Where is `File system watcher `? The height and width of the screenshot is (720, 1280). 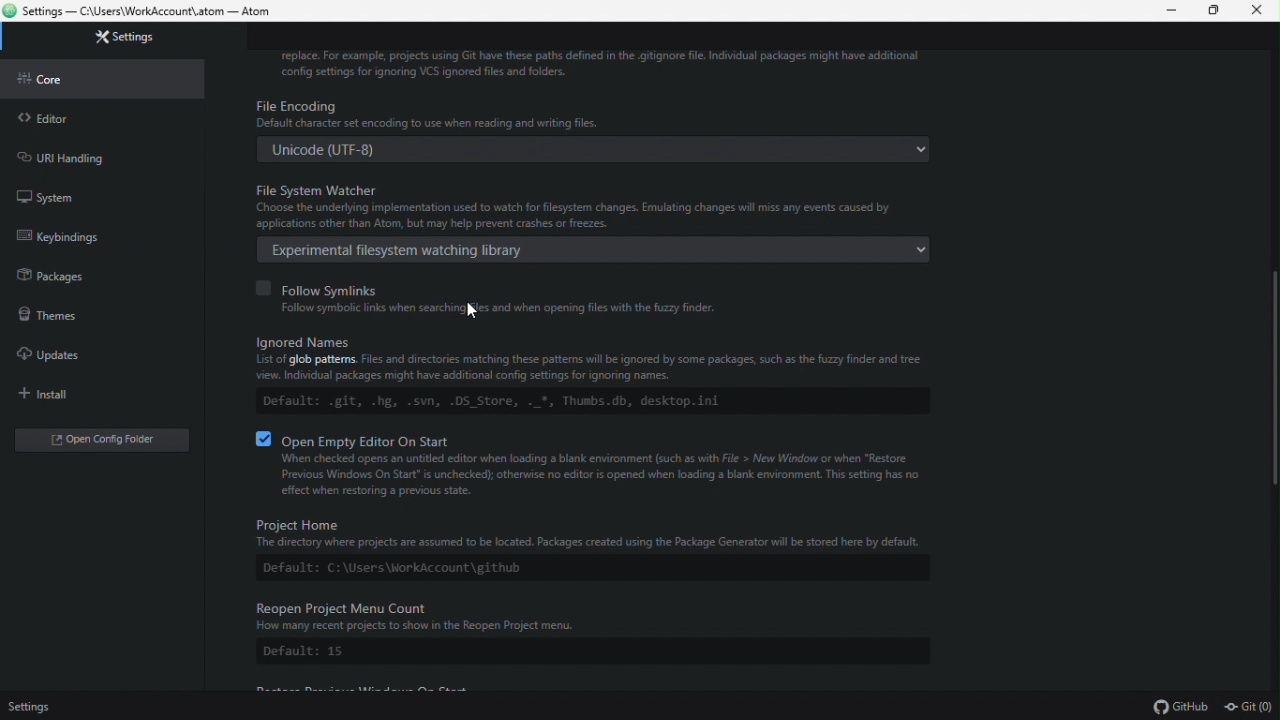
File system watcher  is located at coordinates (587, 201).